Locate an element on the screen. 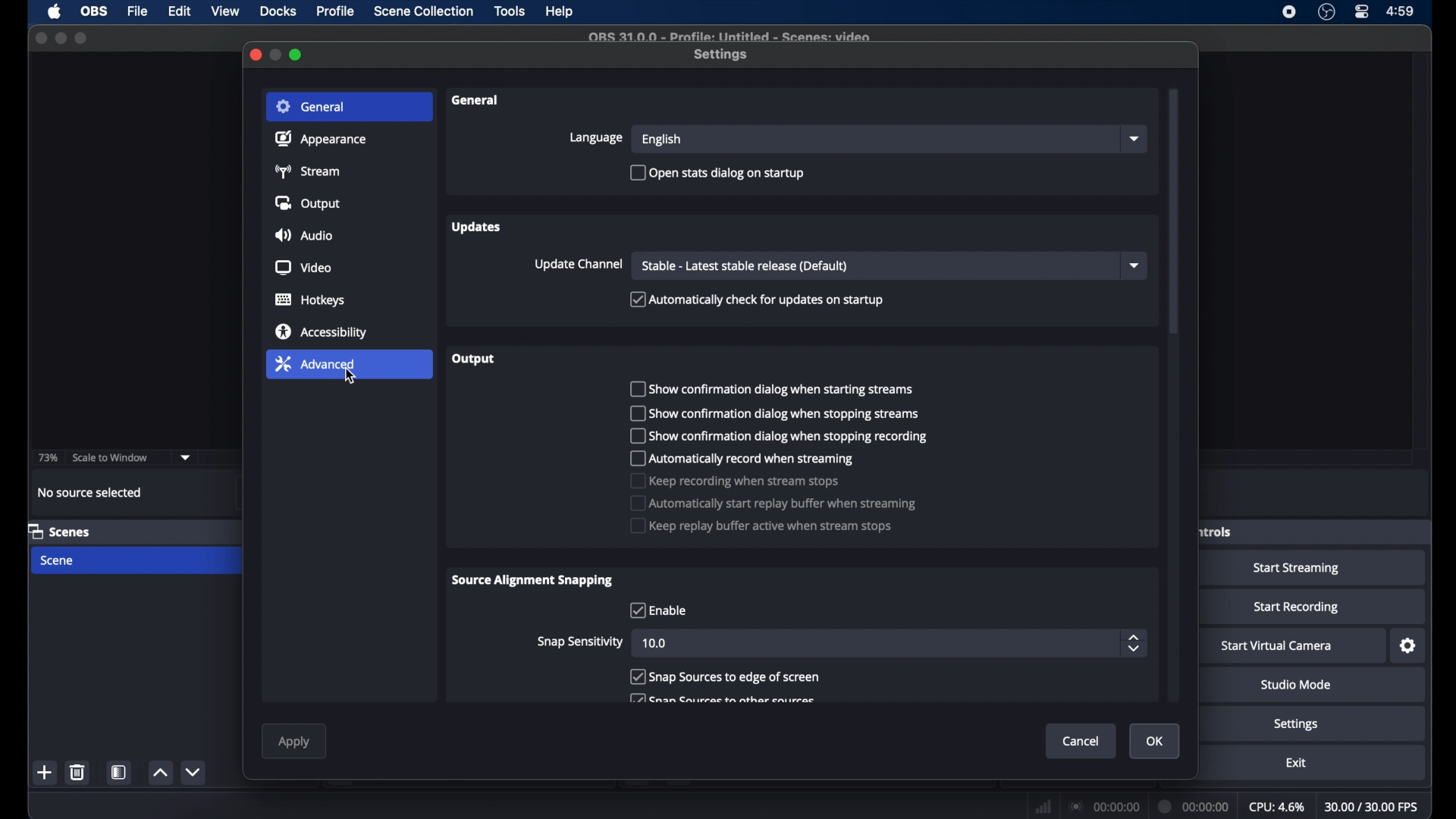 This screenshot has width=1456, height=819. increment is located at coordinates (161, 773).